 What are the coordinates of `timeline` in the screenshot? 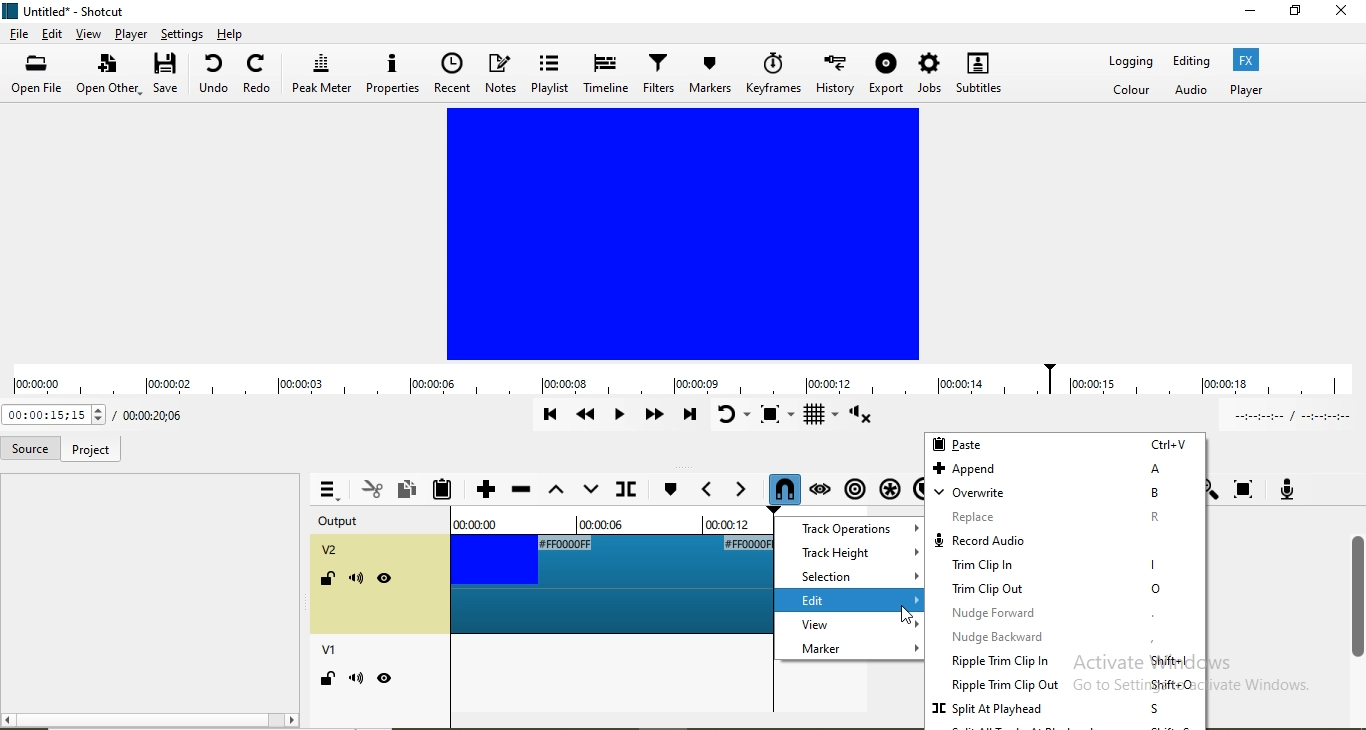 It's located at (683, 382).